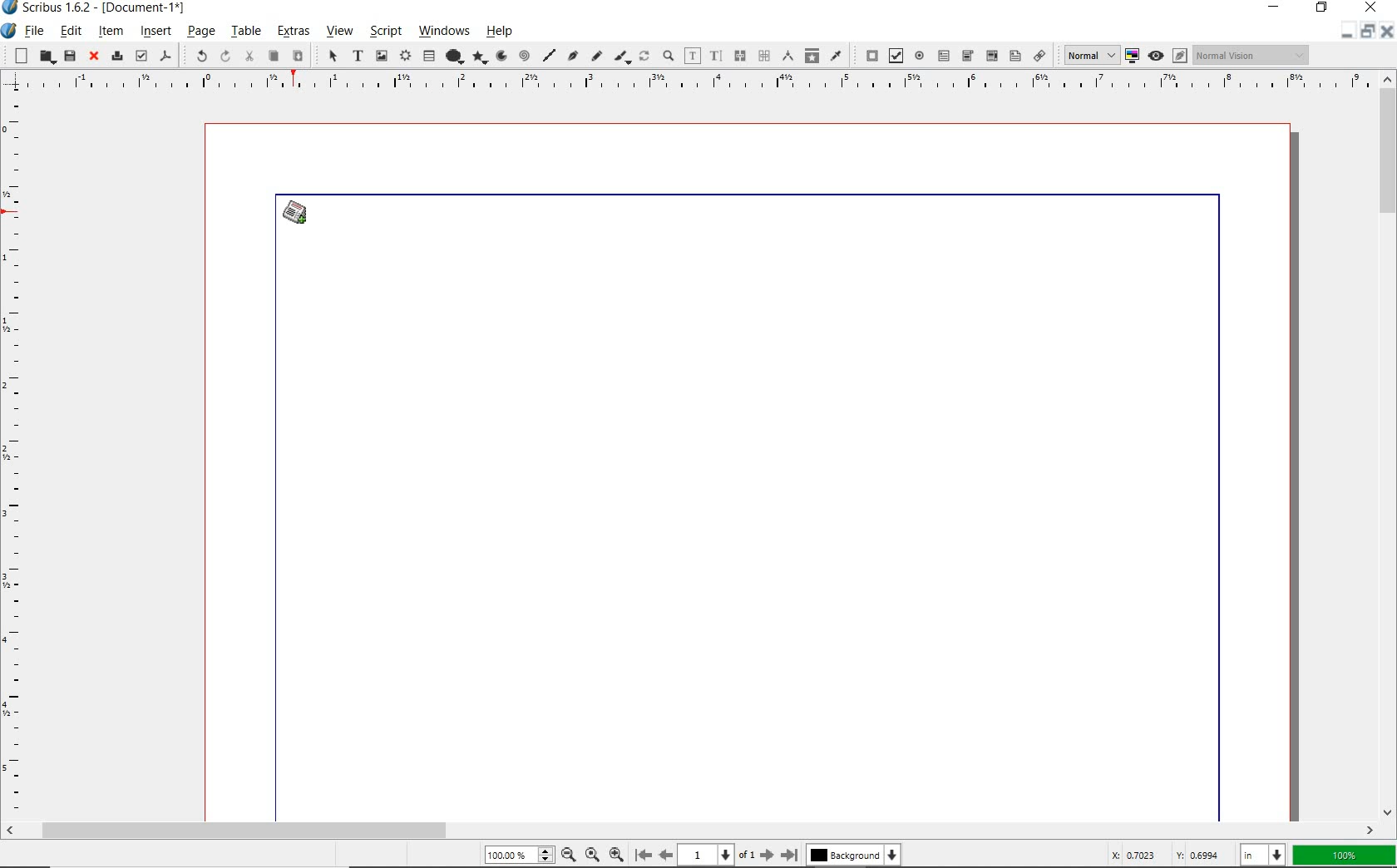  What do you see at coordinates (687, 84) in the screenshot?
I see `Horizontal Margin` at bounding box center [687, 84].